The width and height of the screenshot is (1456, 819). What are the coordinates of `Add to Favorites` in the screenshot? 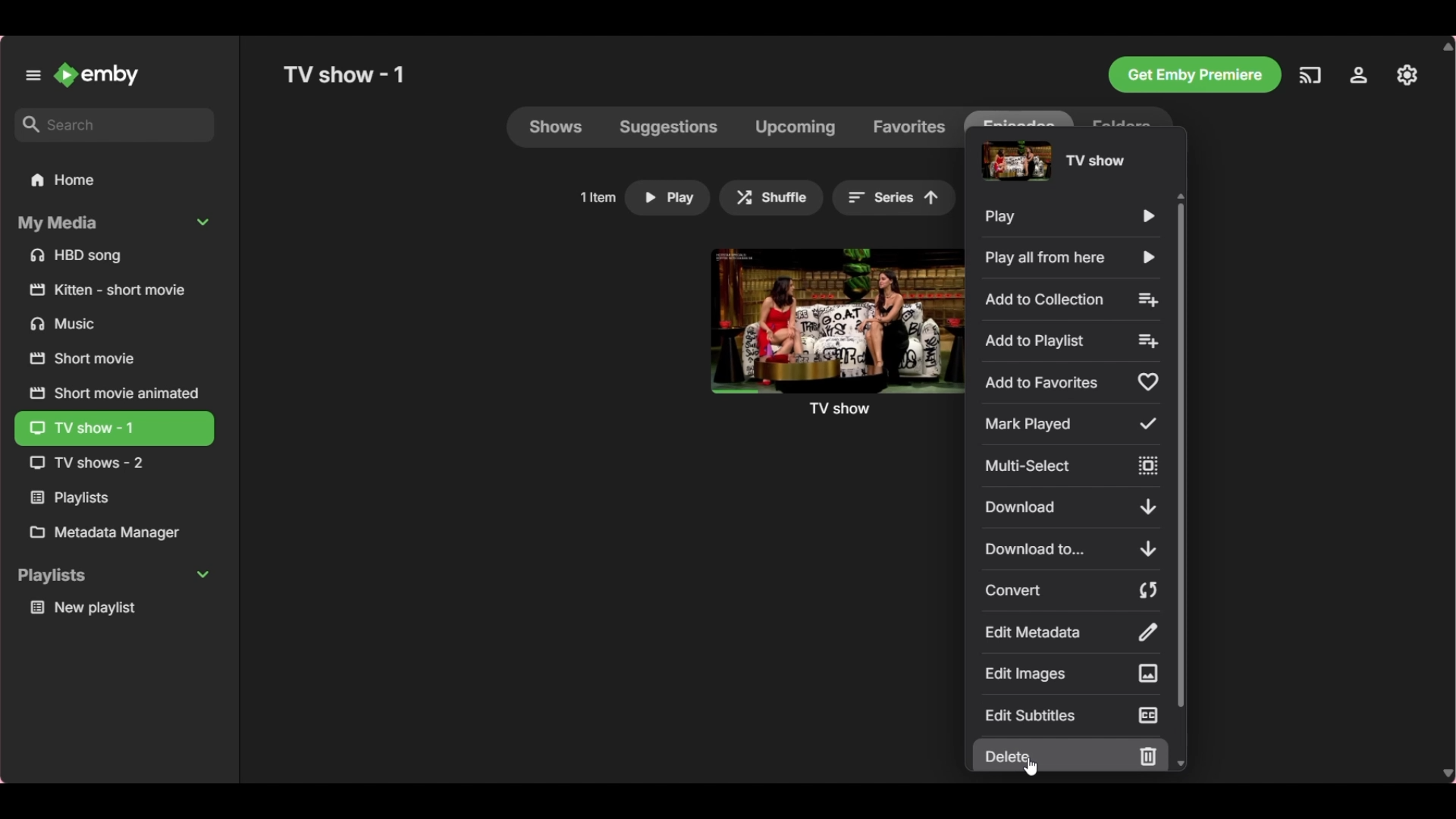 It's located at (1070, 383).